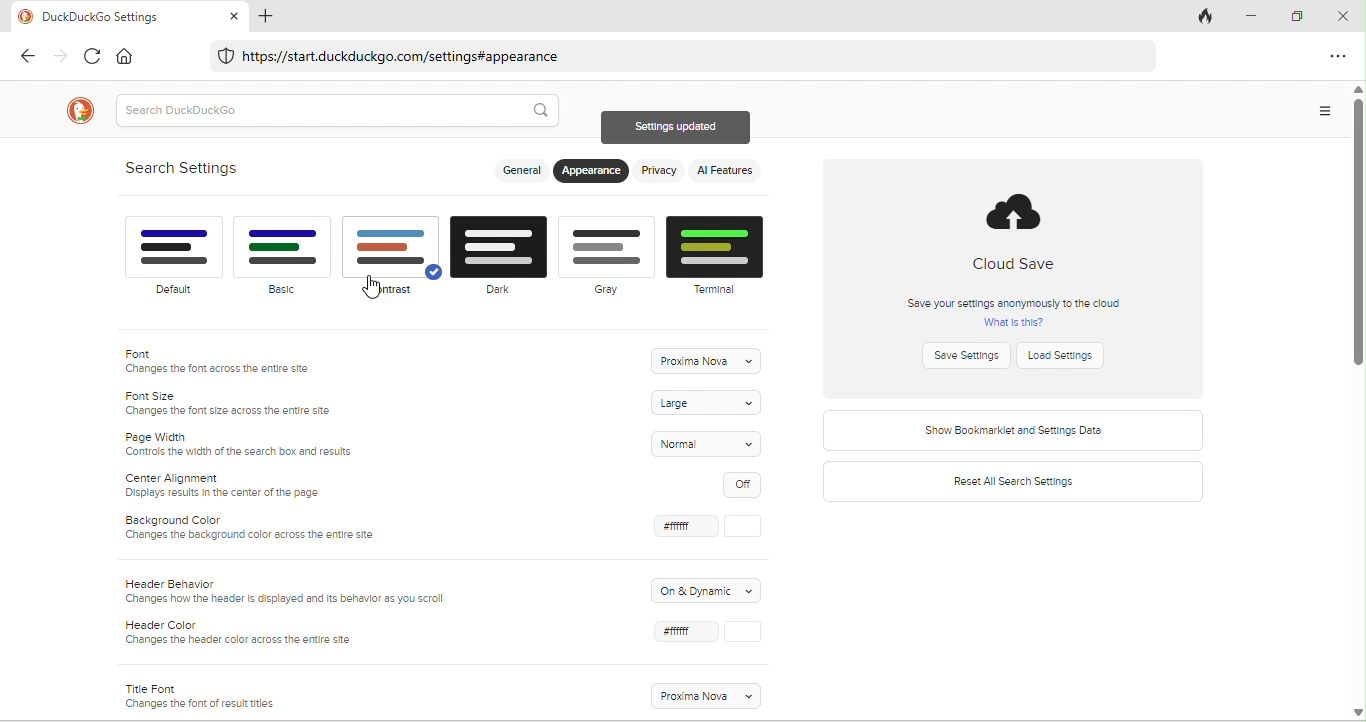  Describe the element at coordinates (1021, 233) in the screenshot. I see `cloud save` at that location.